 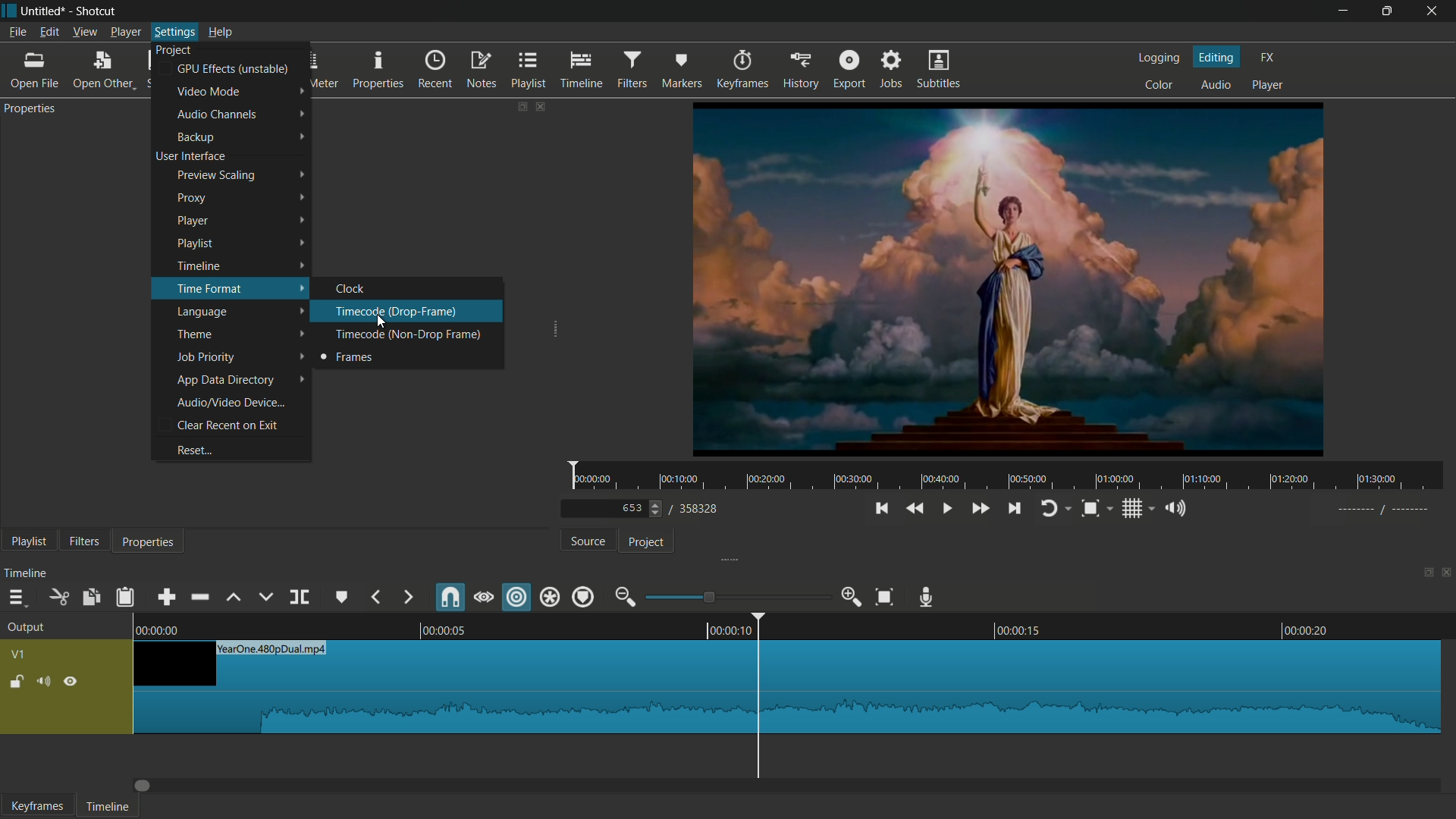 I want to click on toggle grid, so click(x=1131, y=508).